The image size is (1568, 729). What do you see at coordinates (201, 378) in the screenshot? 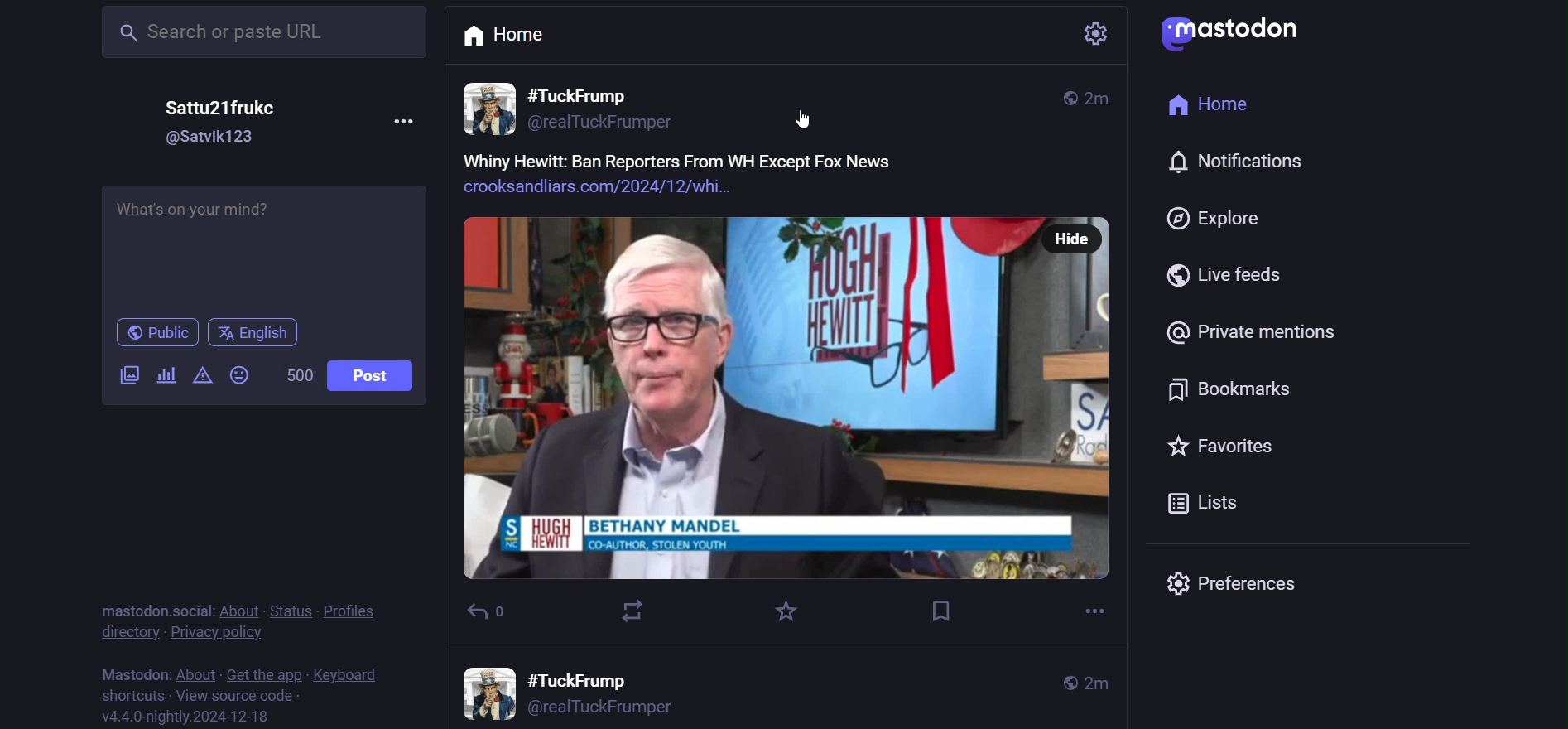
I see `content warning` at bounding box center [201, 378].